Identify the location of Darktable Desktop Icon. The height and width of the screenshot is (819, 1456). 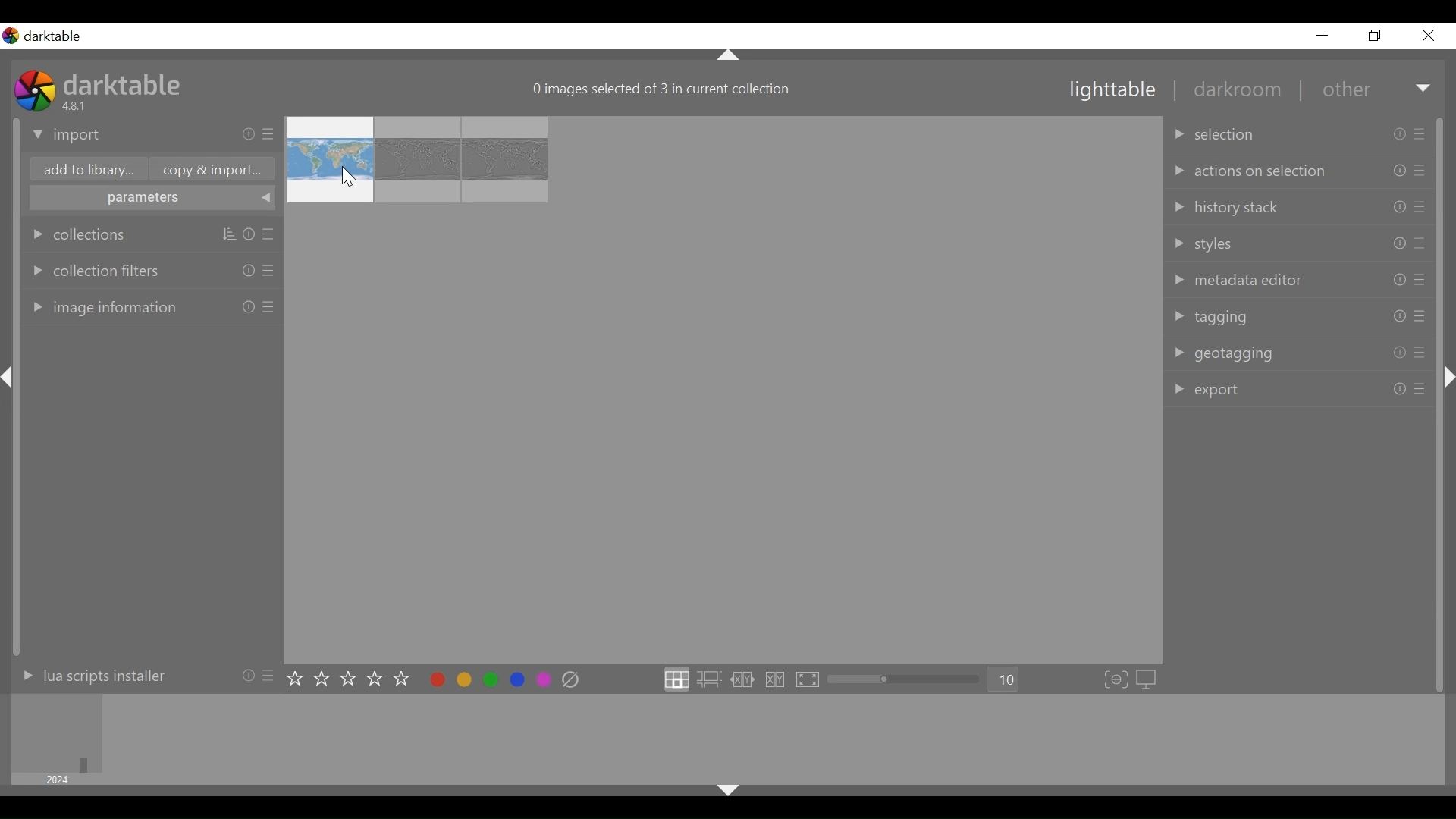
(33, 93).